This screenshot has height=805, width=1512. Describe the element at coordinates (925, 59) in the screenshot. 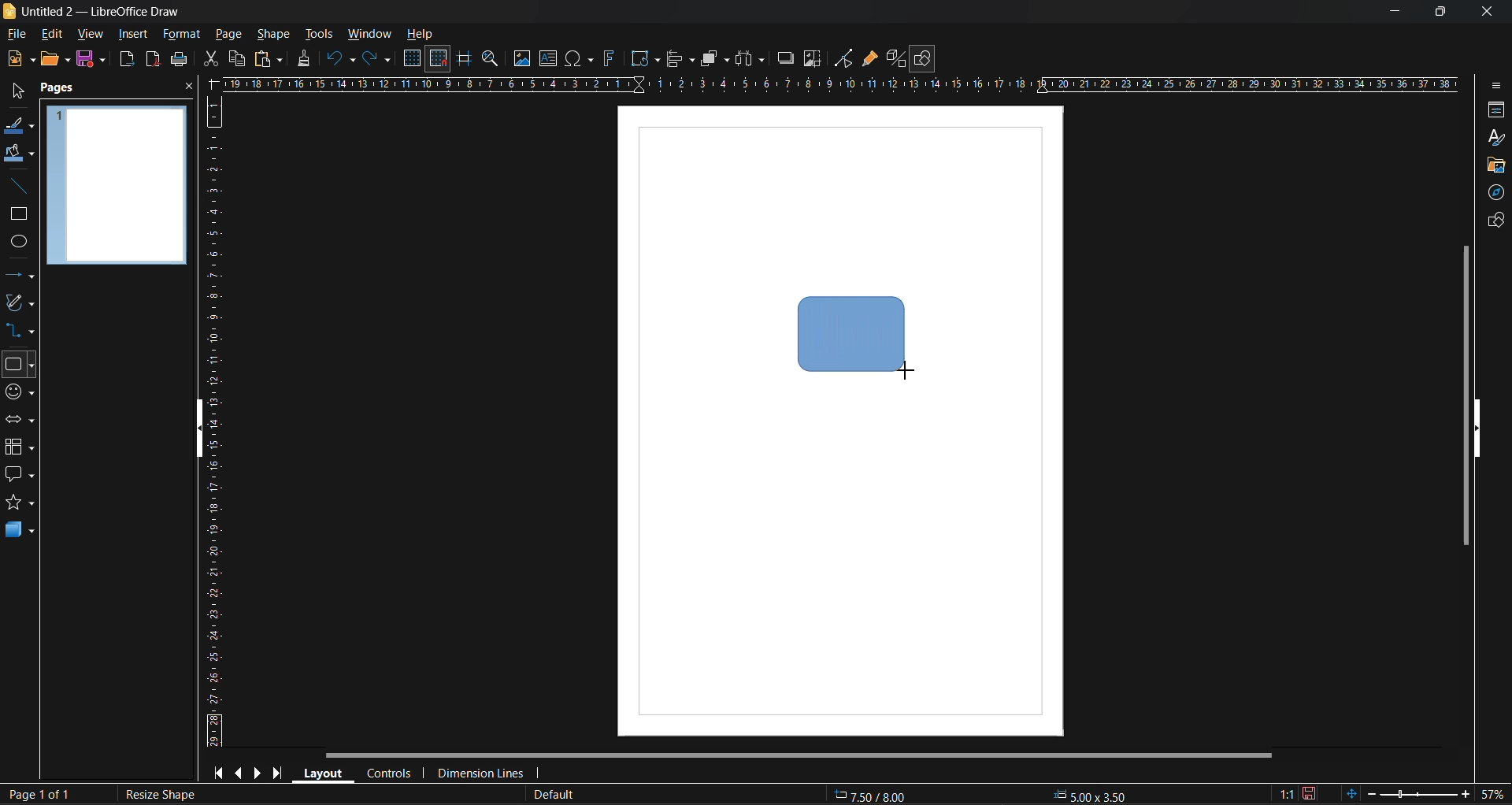

I see `show draw functions` at that location.